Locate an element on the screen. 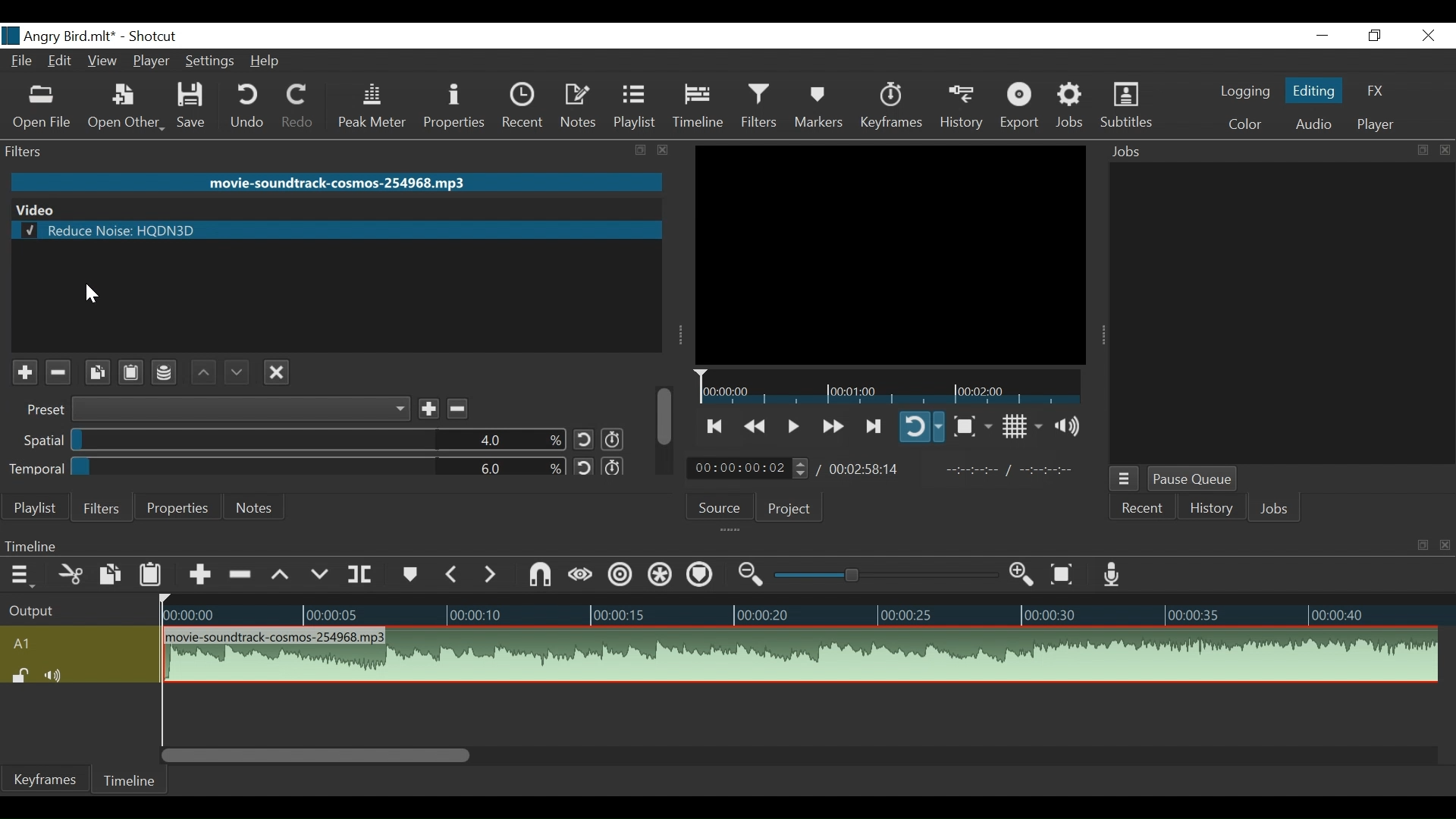 Image resolution: width=1456 pixels, height=819 pixels. Player is located at coordinates (1373, 126).